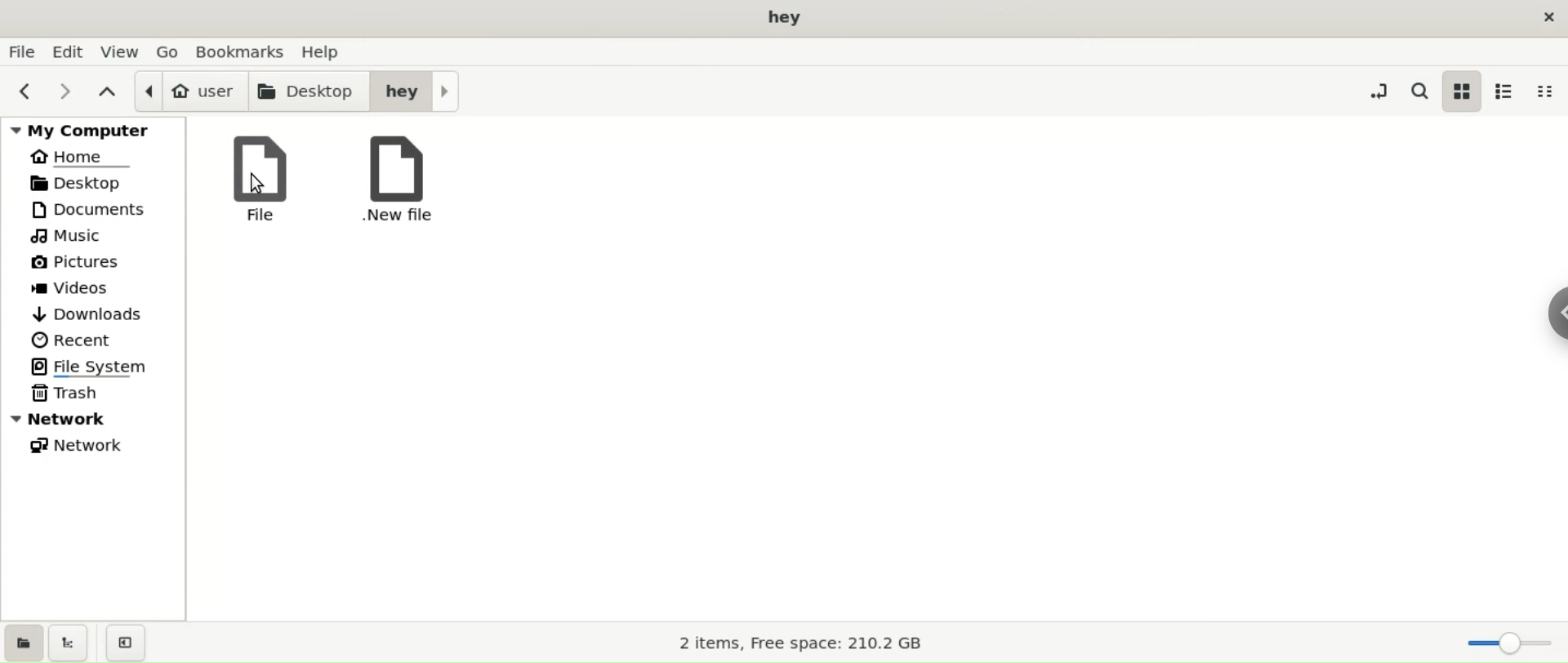 This screenshot has width=1568, height=663. What do you see at coordinates (73, 642) in the screenshot?
I see `show treeview` at bounding box center [73, 642].